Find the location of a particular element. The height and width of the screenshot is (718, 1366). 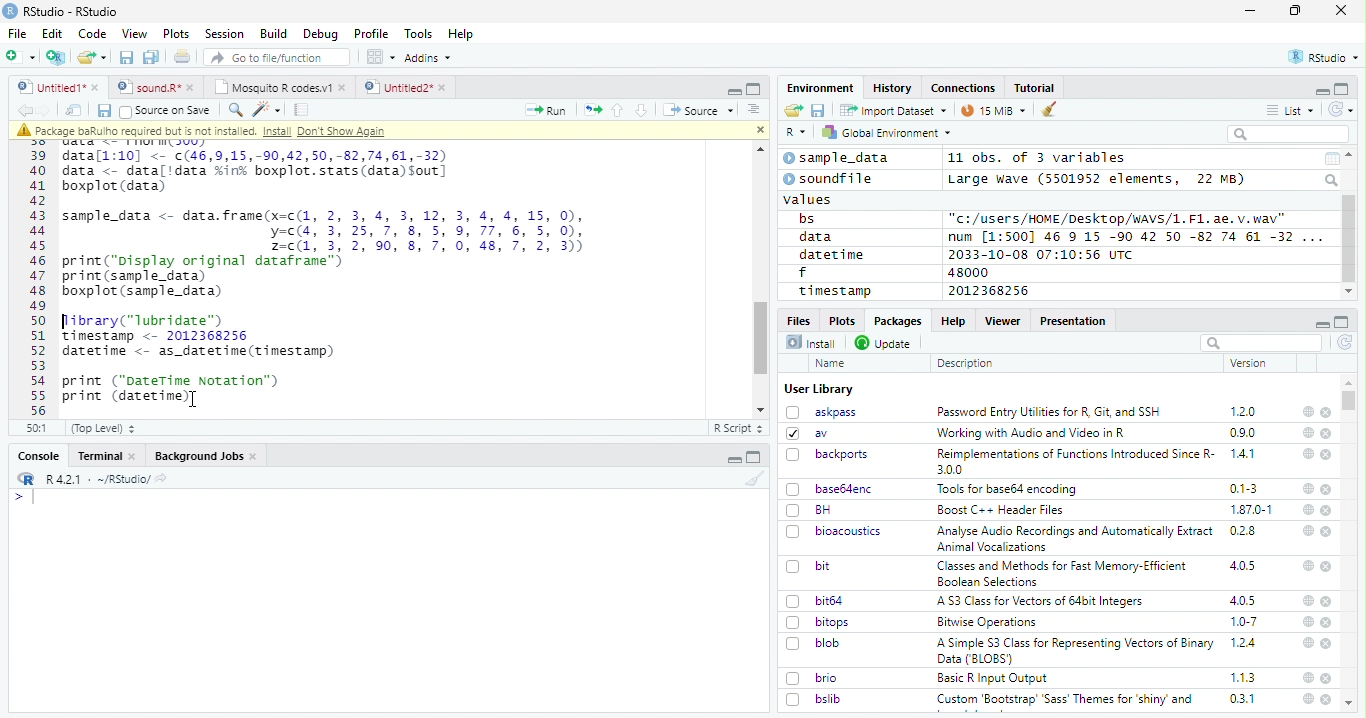

full screen is located at coordinates (1342, 89).